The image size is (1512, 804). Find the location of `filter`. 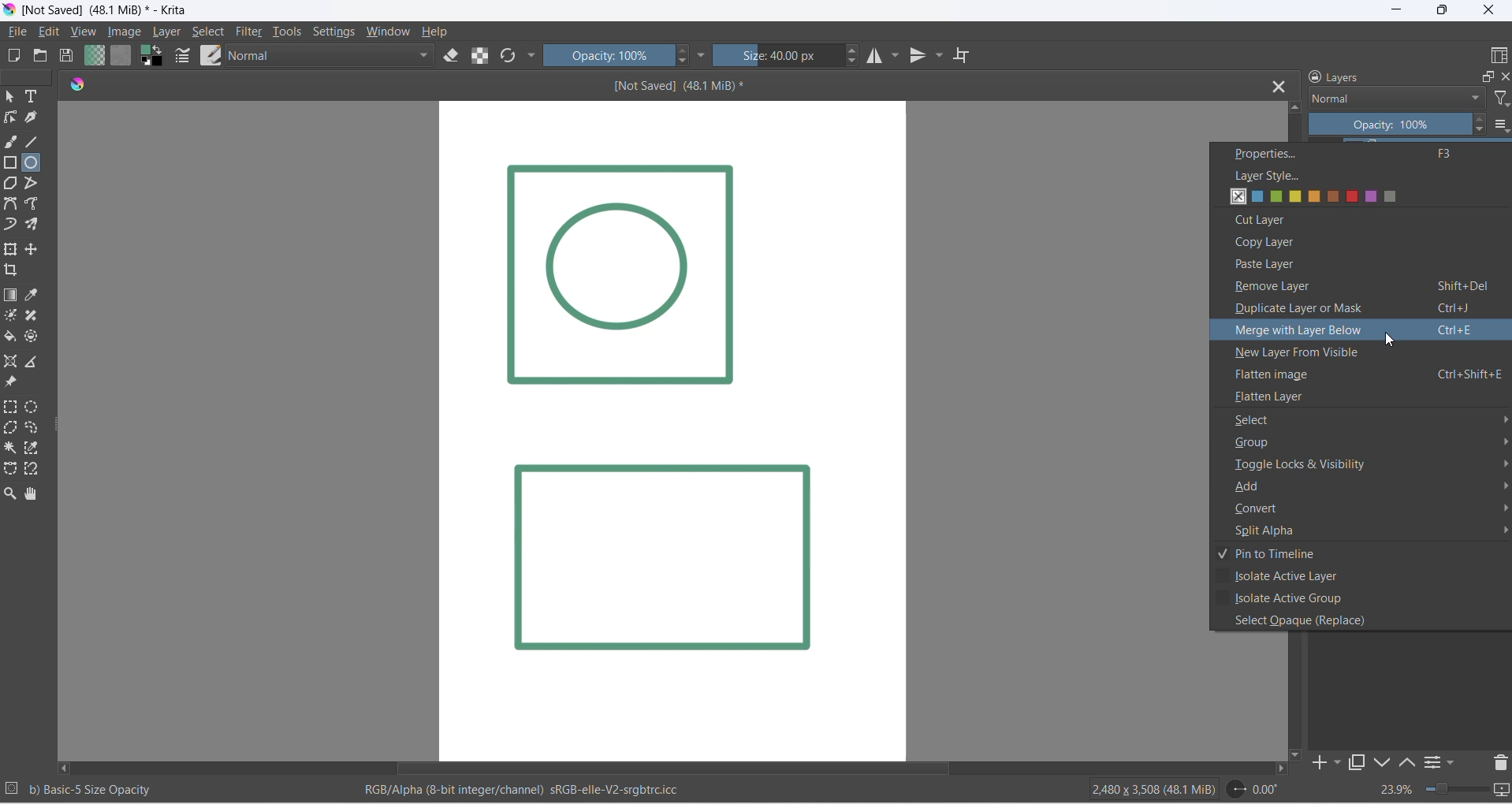

filter is located at coordinates (246, 33).